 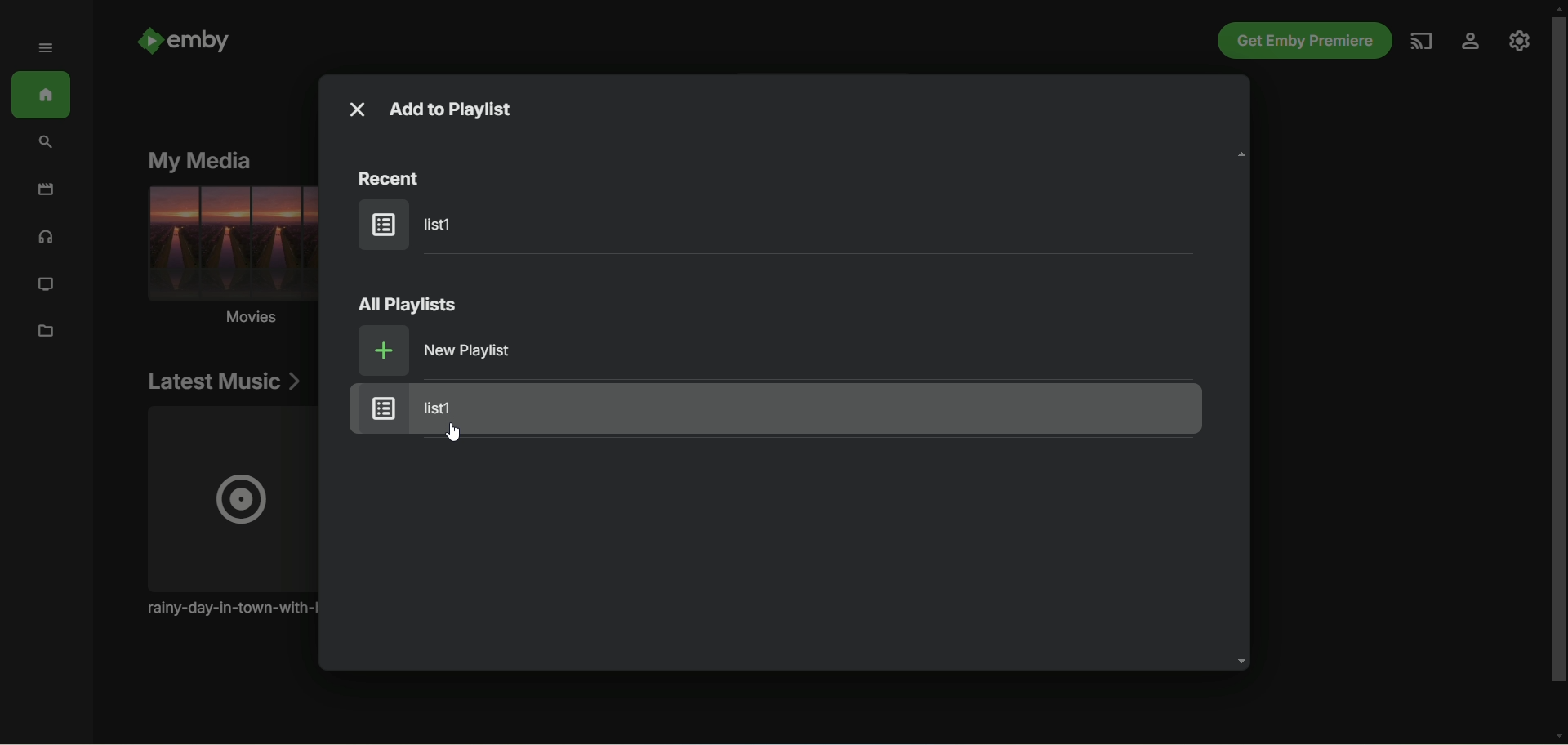 What do you see at coordinates (228, 511) in the screenshot?
I see `Music album` at bounding box center [228, 511].